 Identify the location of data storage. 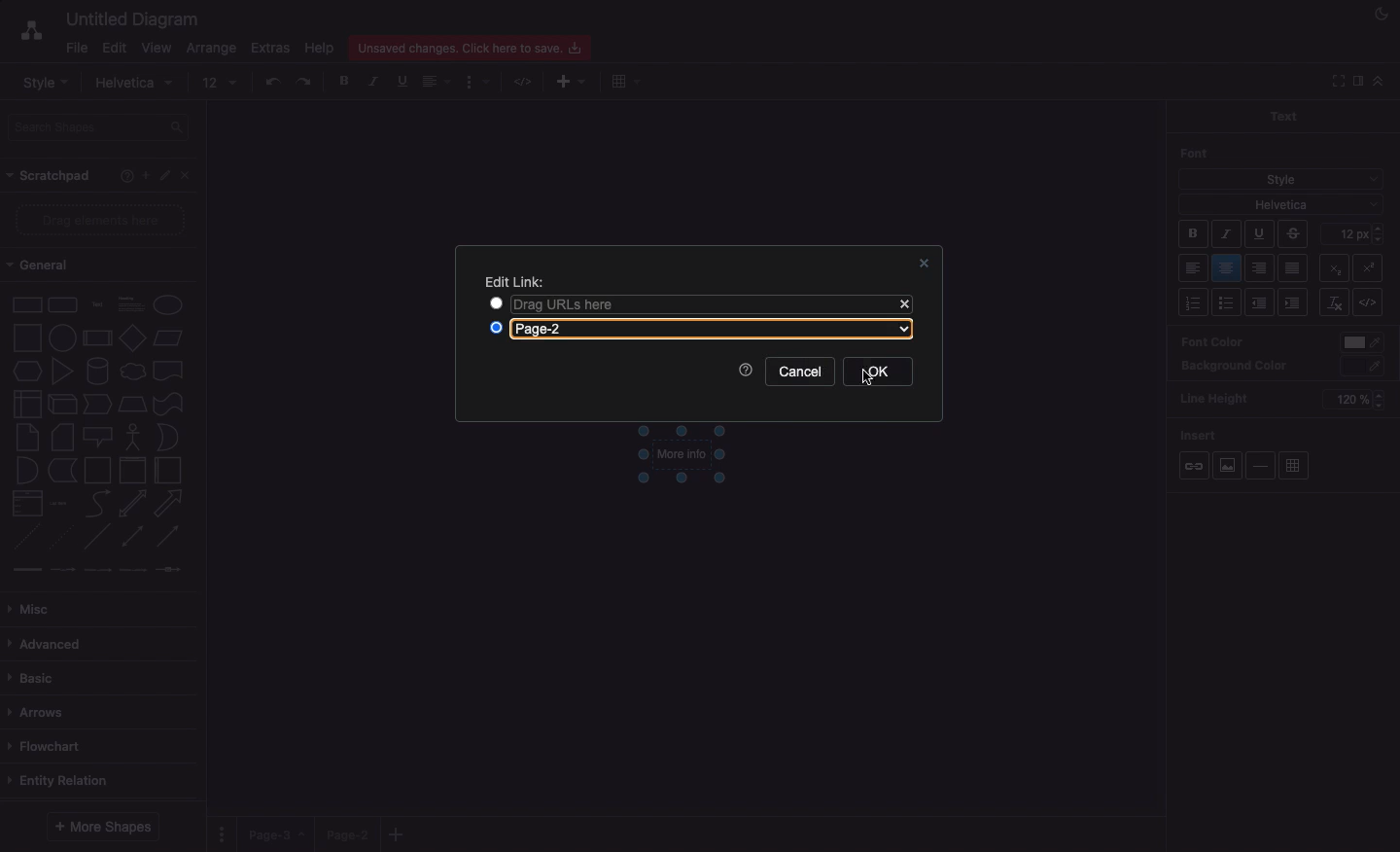
(63, 471).